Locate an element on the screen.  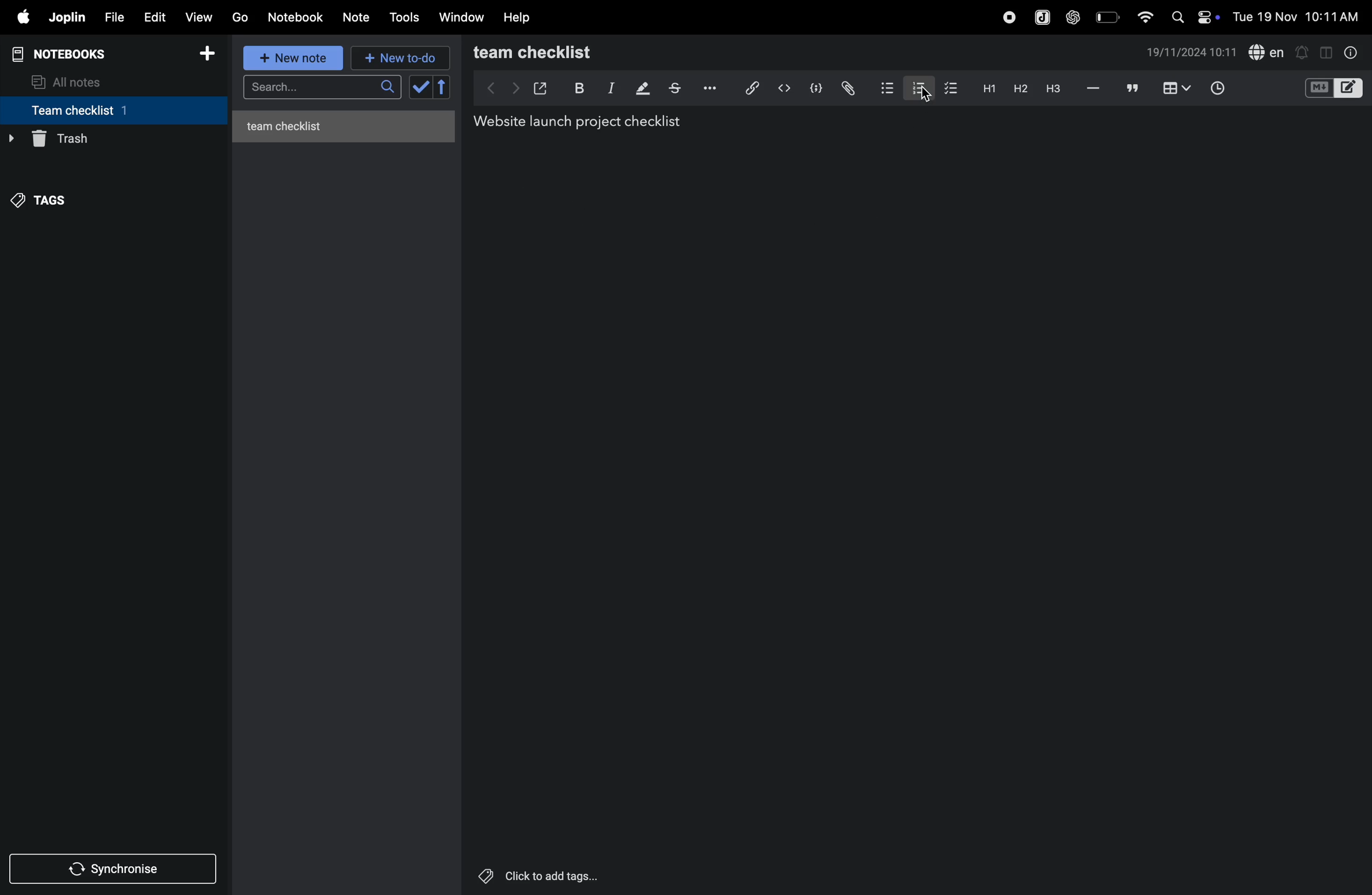
bold is located at coordinates (578, 87).